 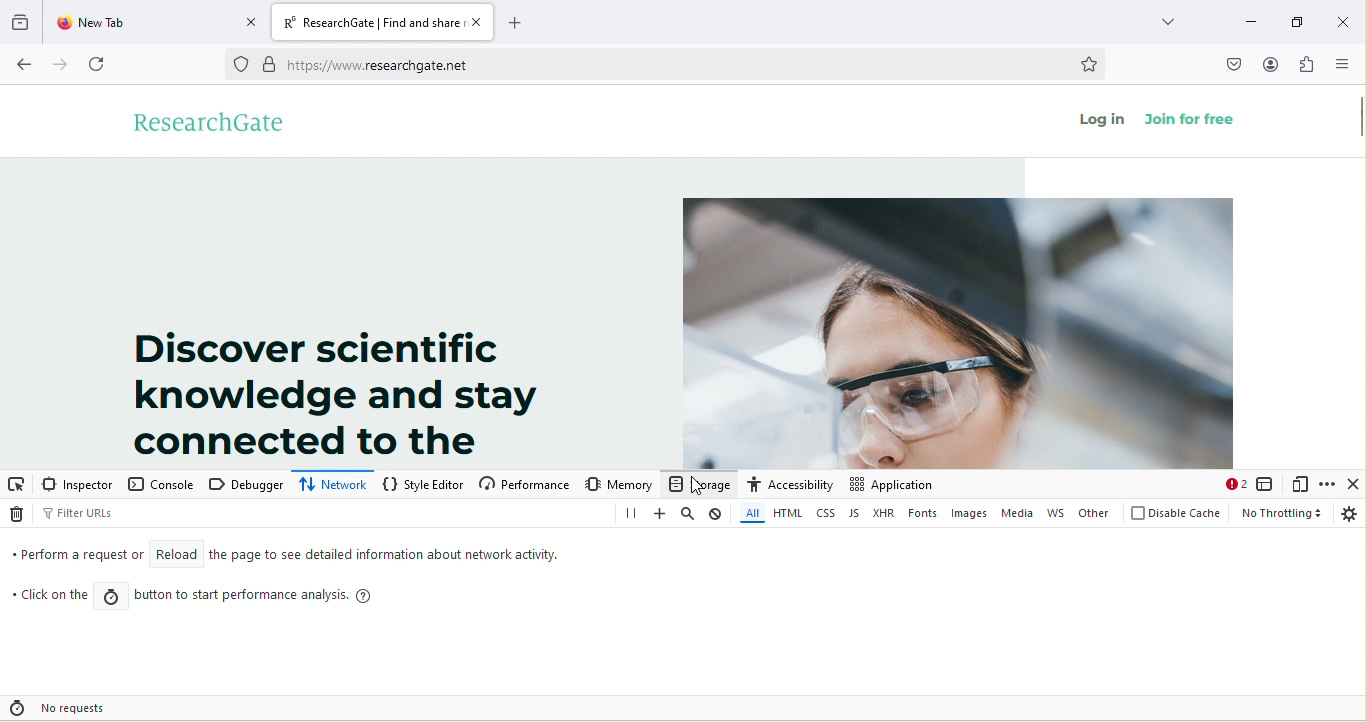 I want to click on close, so click(x=1354, y=484).